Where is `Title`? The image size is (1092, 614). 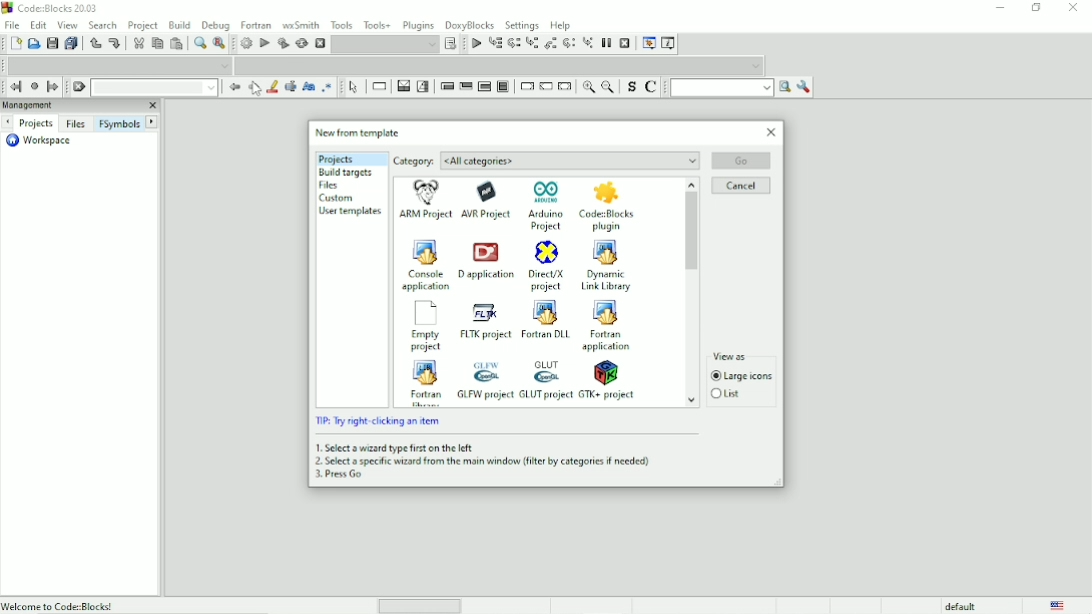
Title is located at coordinates (50, 8).